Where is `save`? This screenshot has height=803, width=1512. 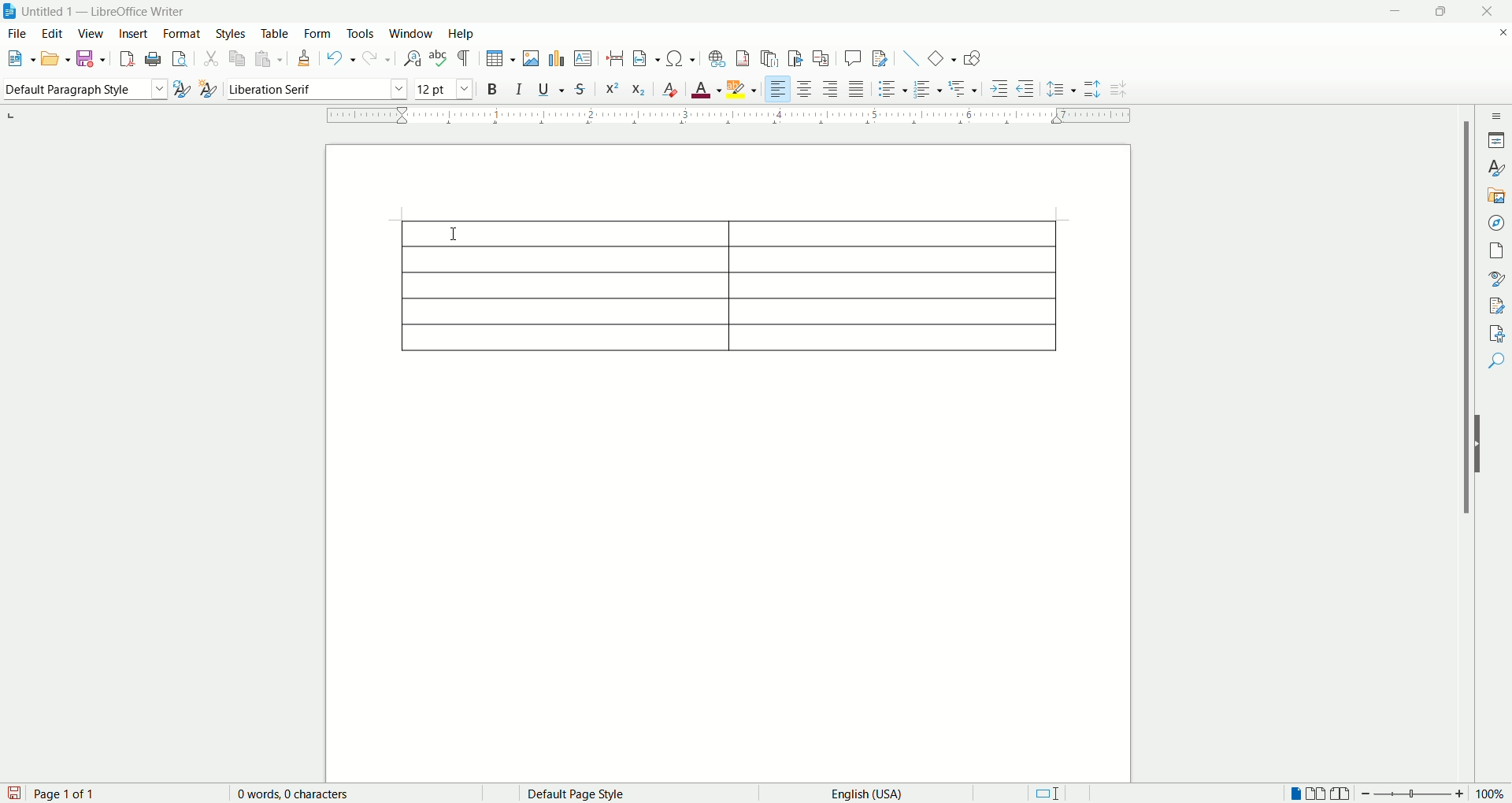
save is located at coordinates (90, 58).